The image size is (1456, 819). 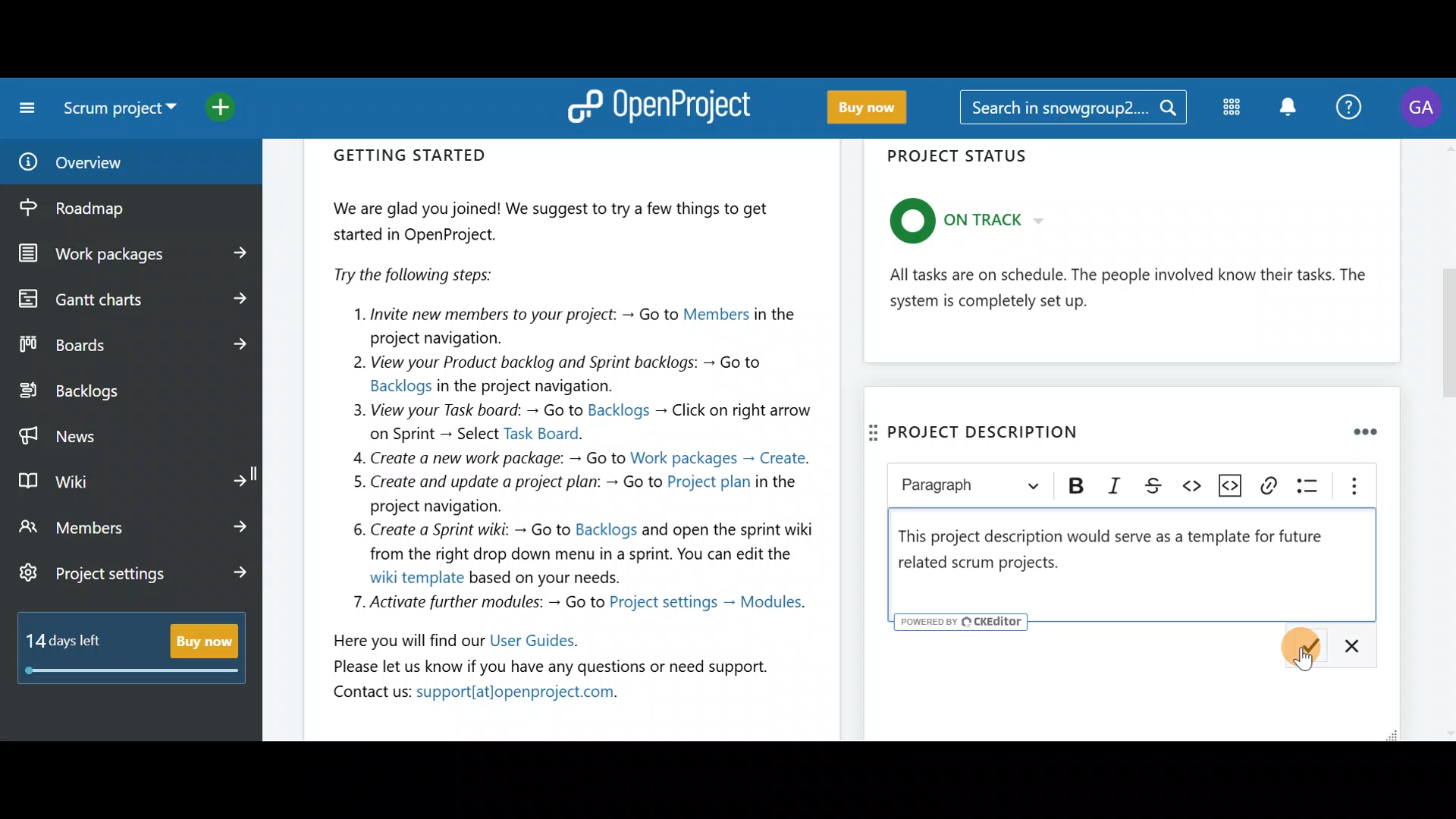 What do you see at coordinates (1351, 105) in the screenshot?
I see `Help` at bounding box center [1351, 105].